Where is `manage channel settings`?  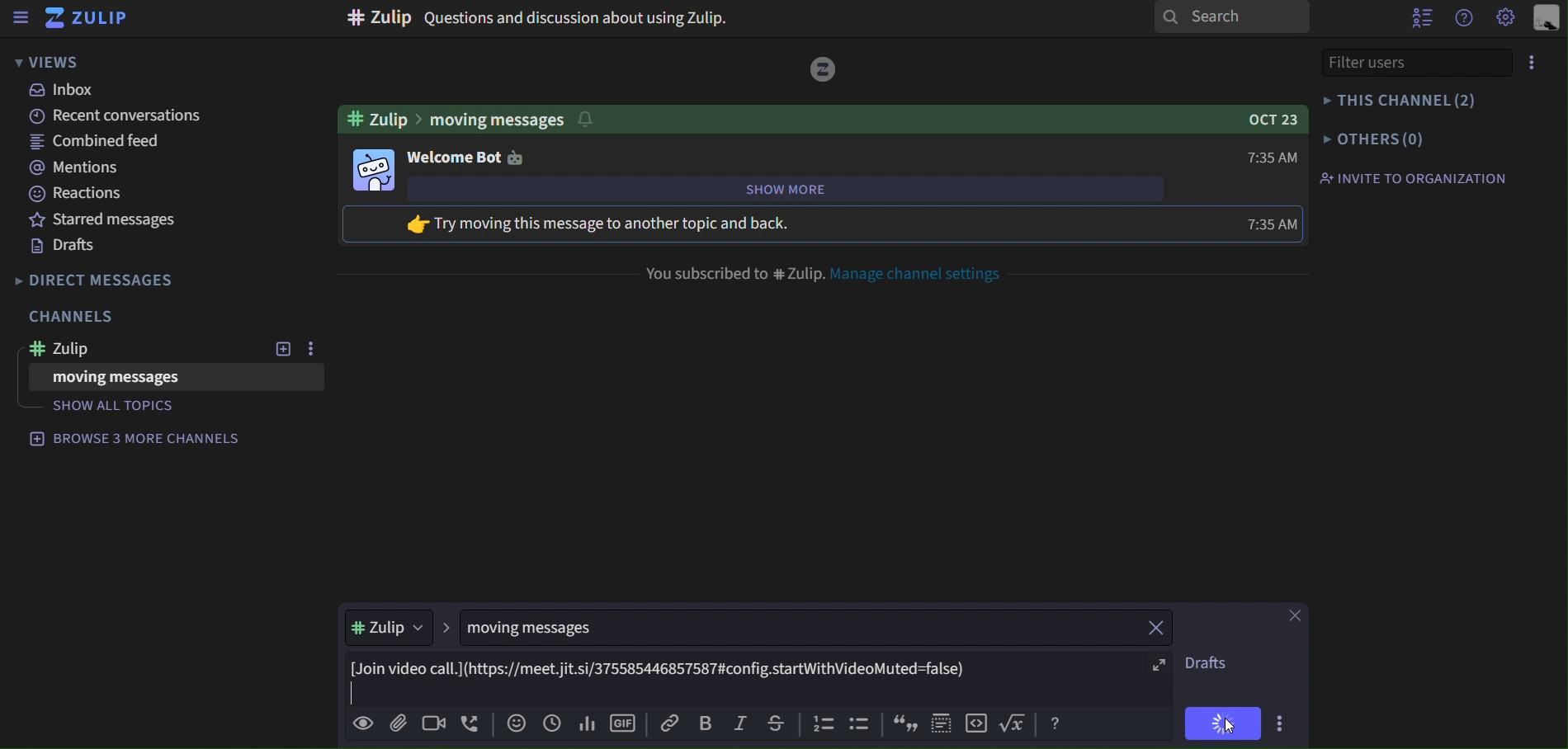 manage channel settings is located at coordinates (925, 275).